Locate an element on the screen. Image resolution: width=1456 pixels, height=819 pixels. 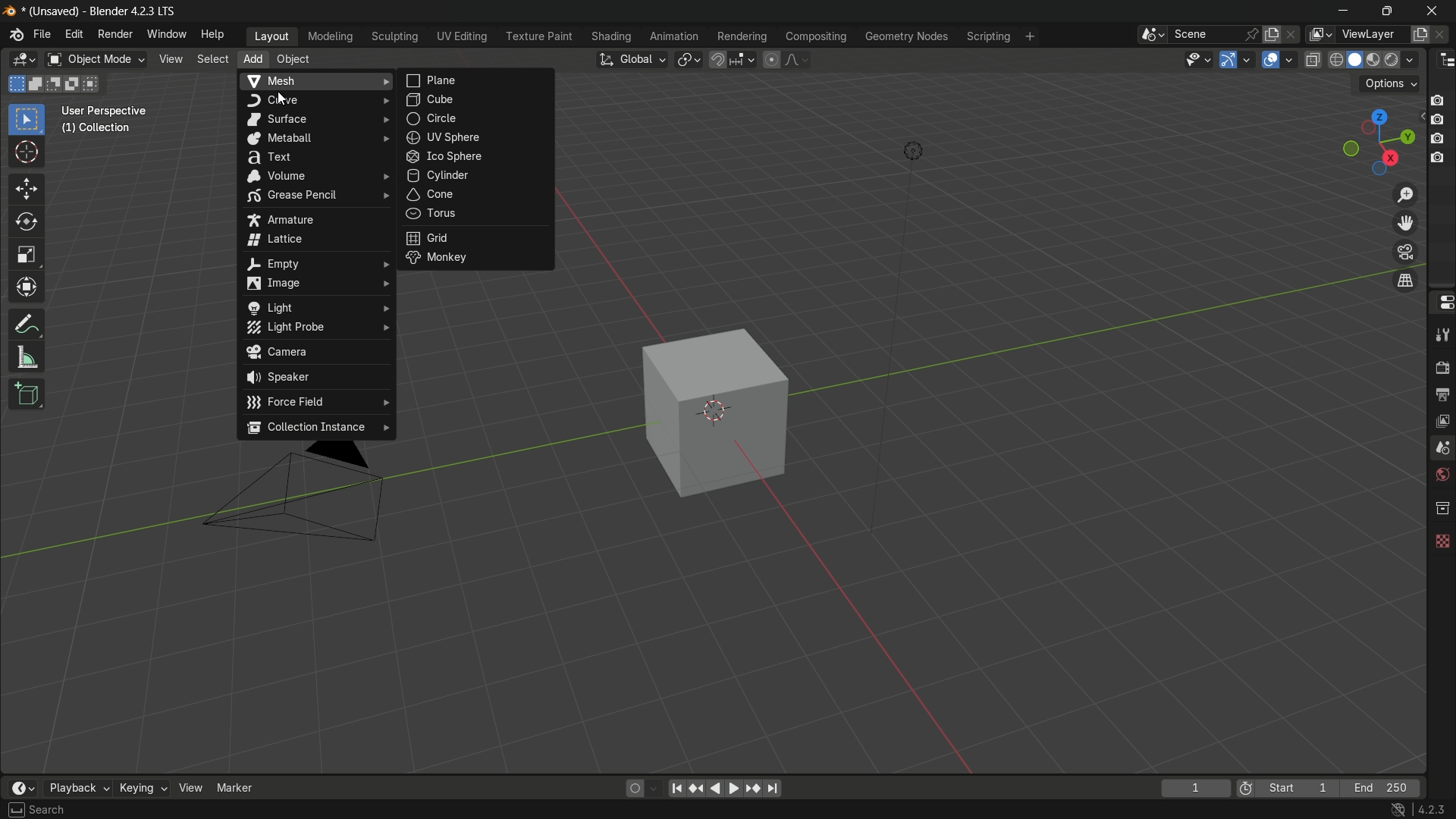
invert existing selection is located at coordinates (75, 83).